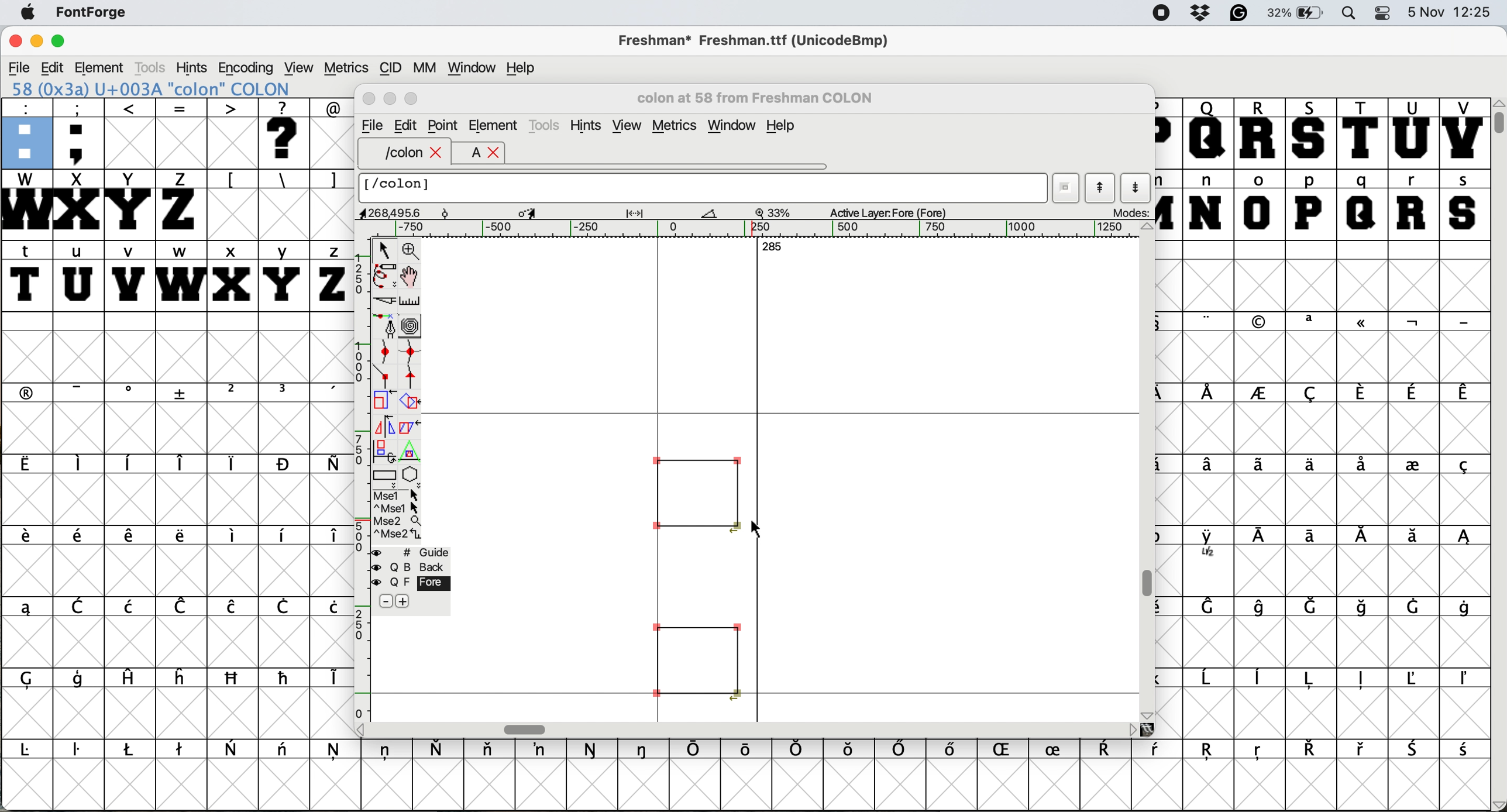  Describe the element at coordinates (13, 42) in the screenshot. I see `close` at that location.